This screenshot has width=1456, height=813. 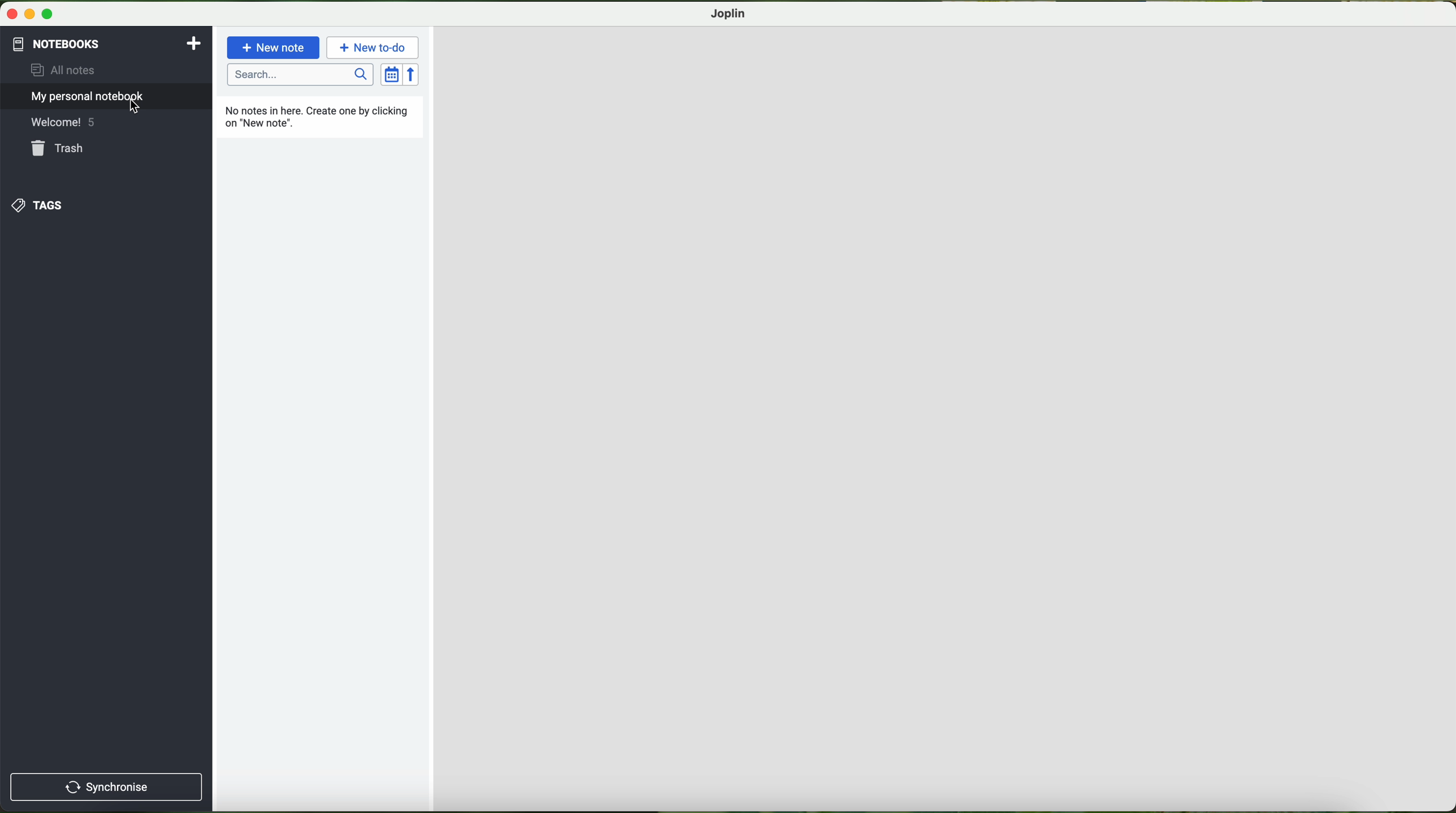 I want to click on maximize, so click(x=47, y=15).